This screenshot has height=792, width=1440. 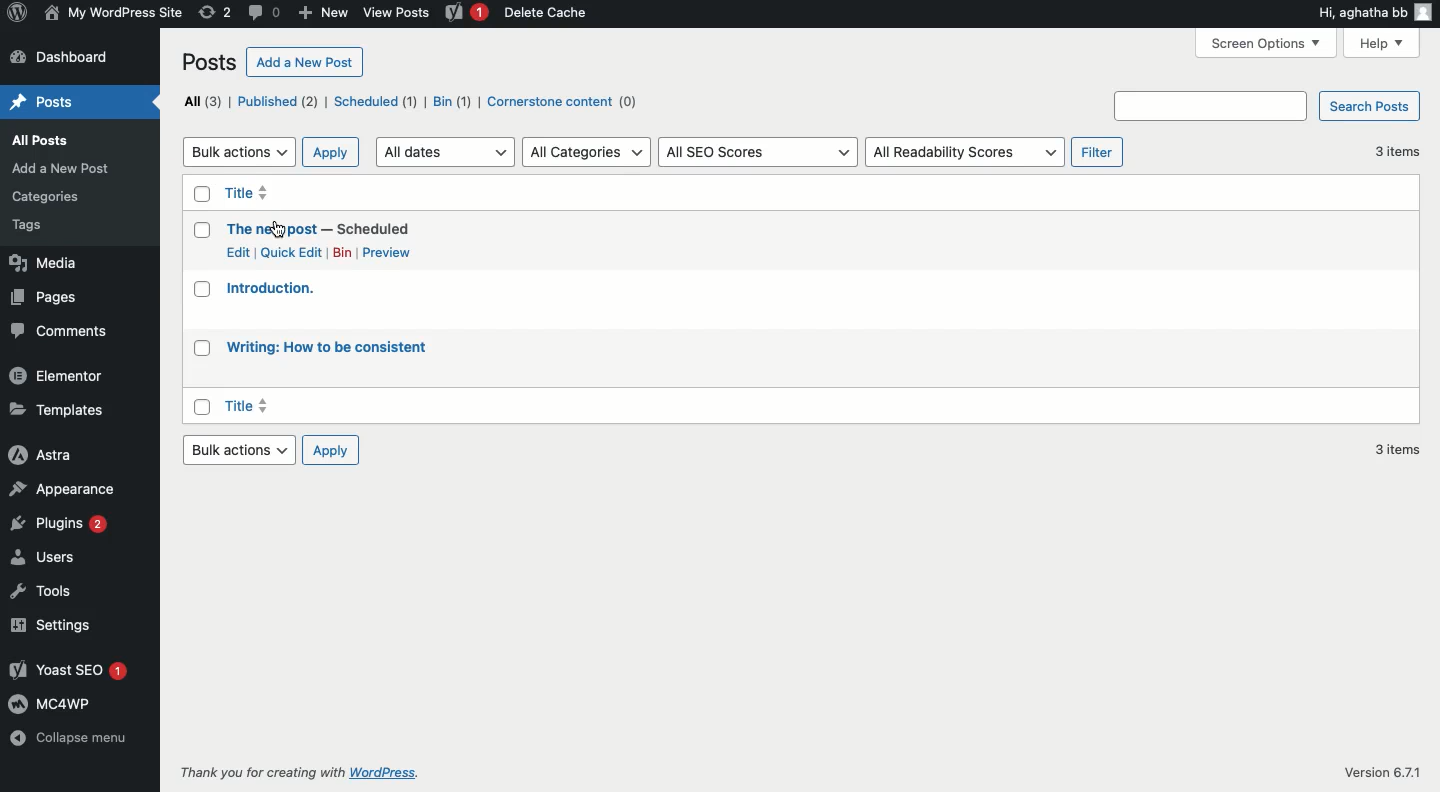 I want to click on Comments, so click(x=62, y=329).